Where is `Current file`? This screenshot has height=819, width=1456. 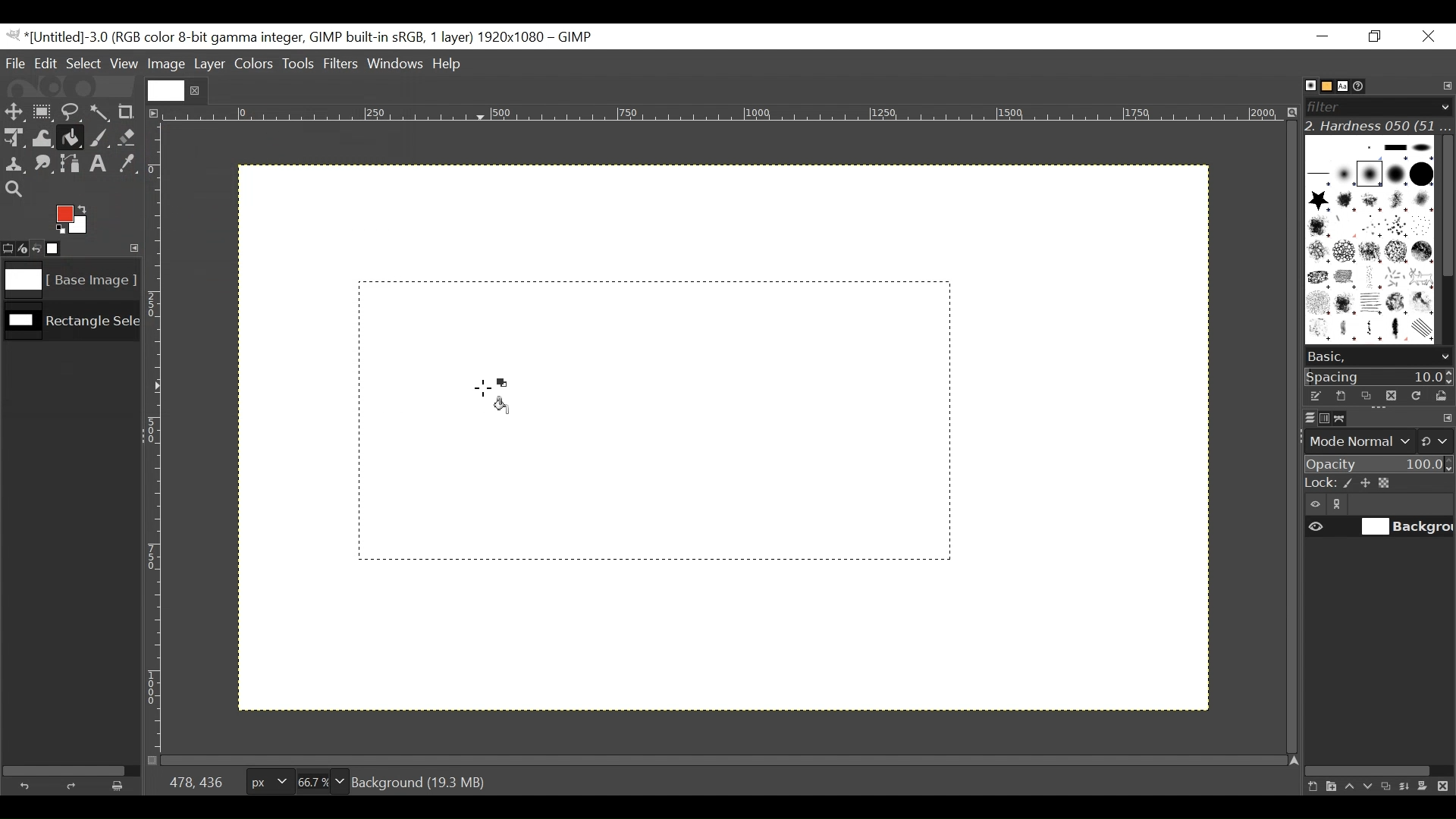 Current file is located at coordinates (166, 90).